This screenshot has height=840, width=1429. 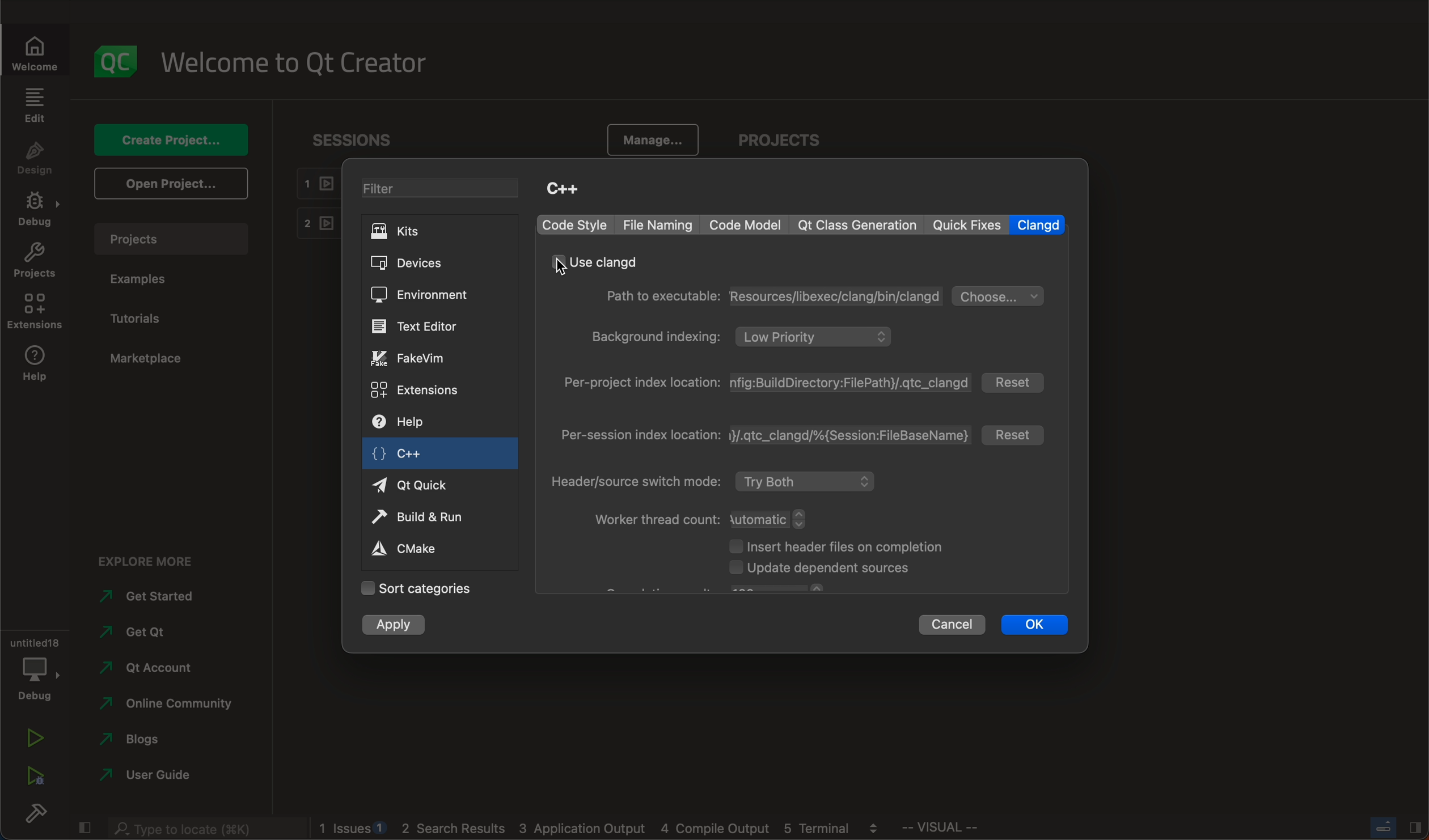 I want to click on open projects, so click(x=175, y=183).